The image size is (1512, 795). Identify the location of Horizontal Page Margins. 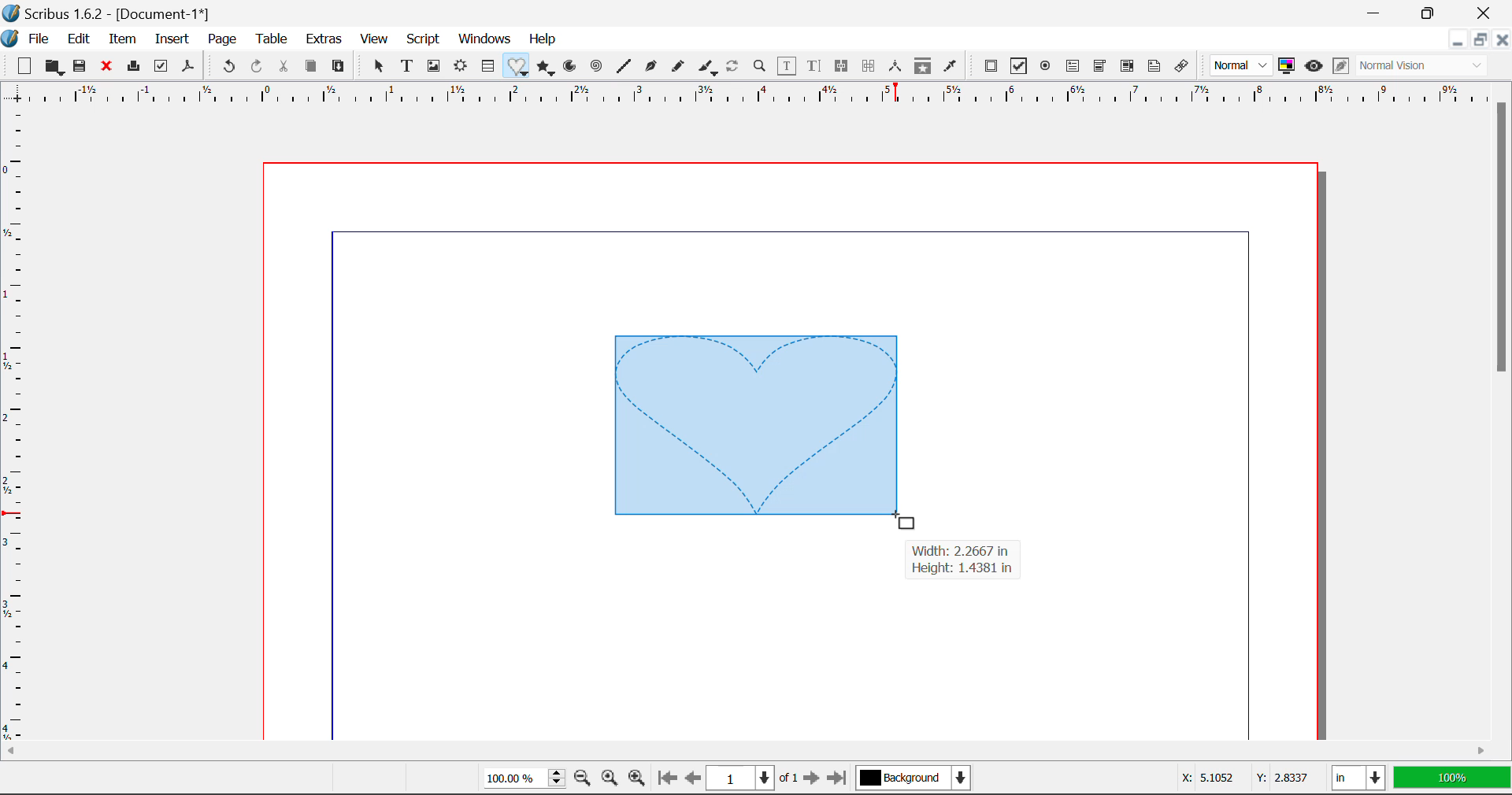
(14, 427).